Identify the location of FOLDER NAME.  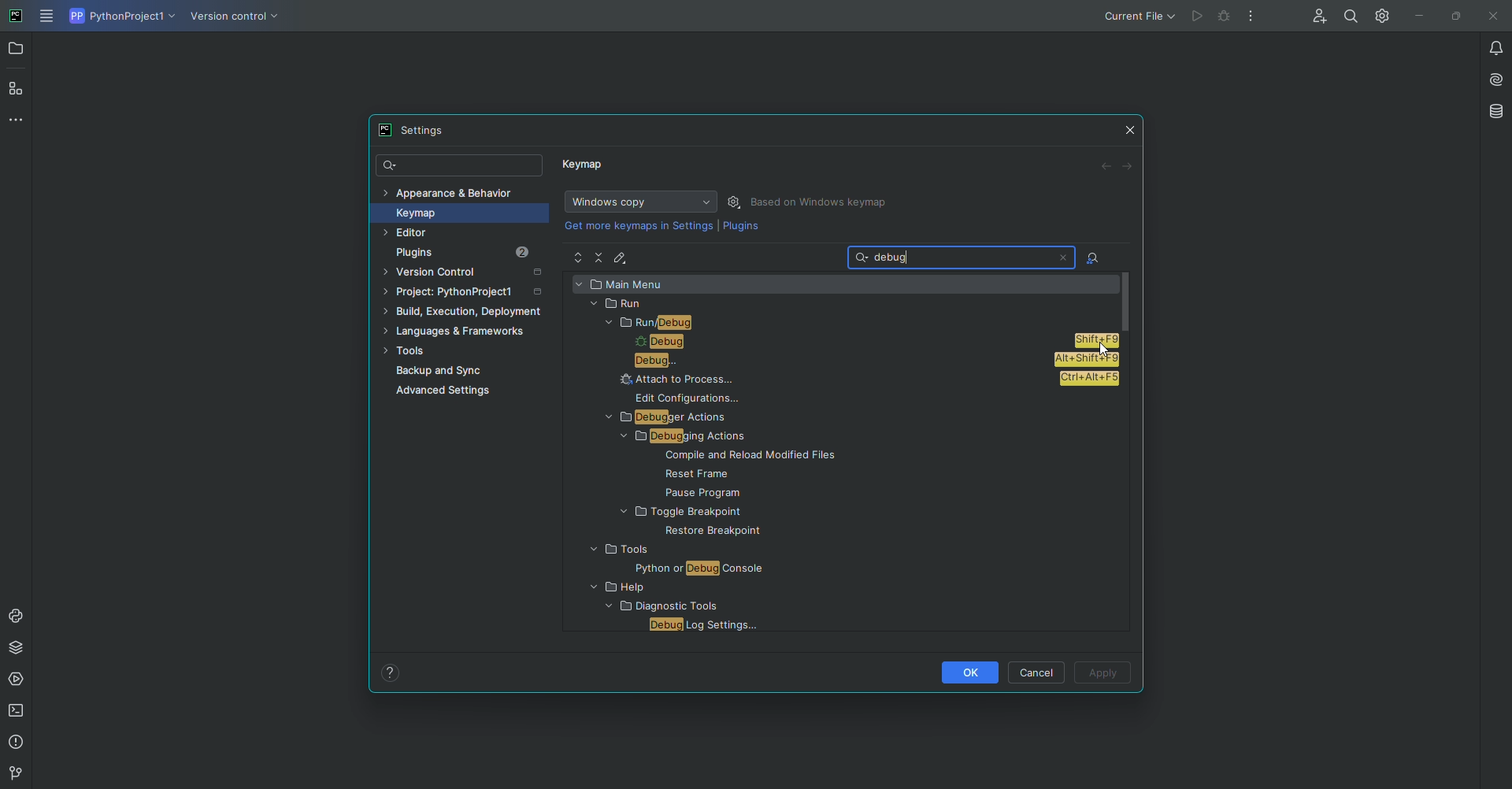
(655, 608).